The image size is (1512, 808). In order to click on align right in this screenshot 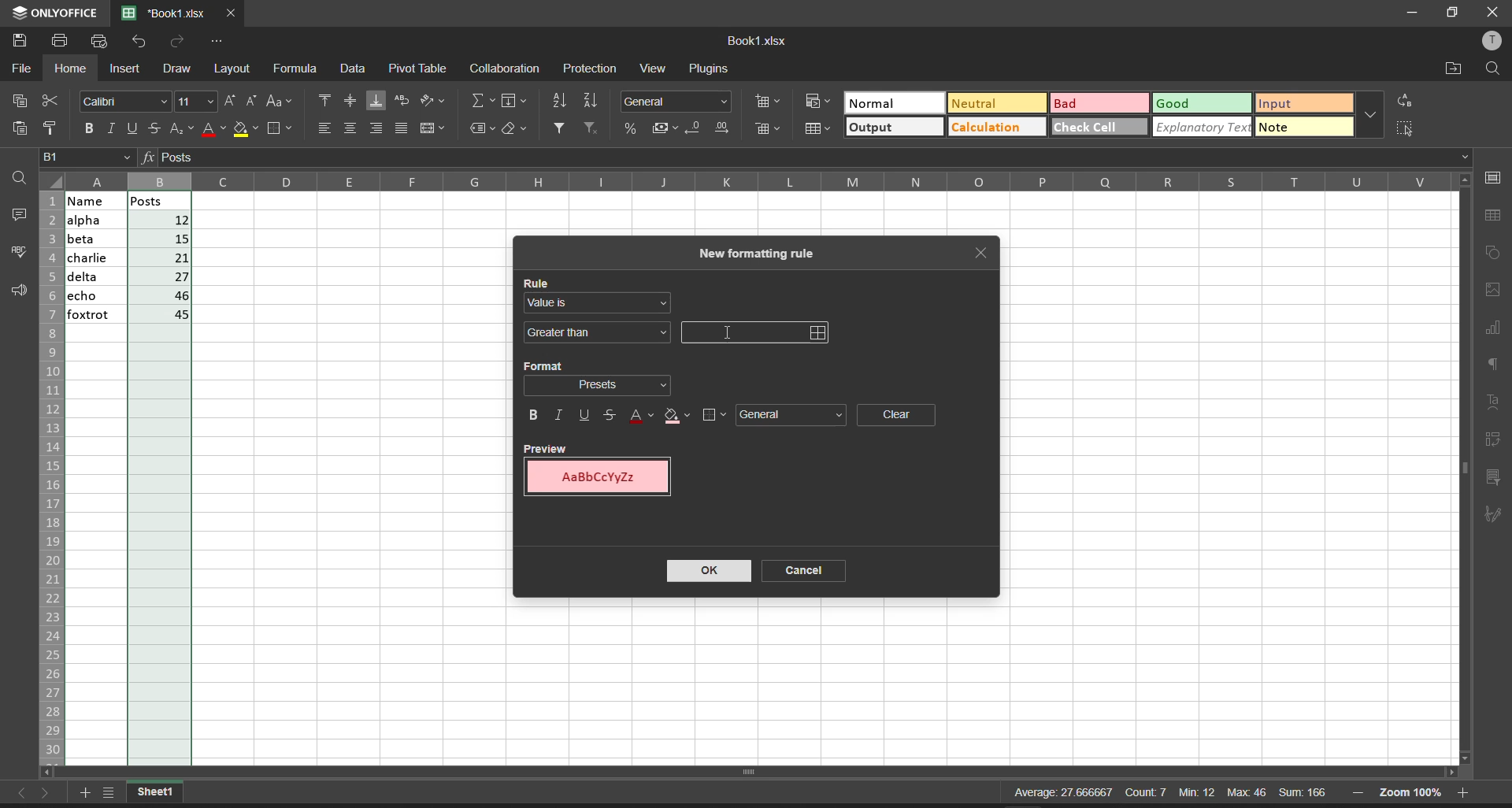, I will do `click(377, 129)`.